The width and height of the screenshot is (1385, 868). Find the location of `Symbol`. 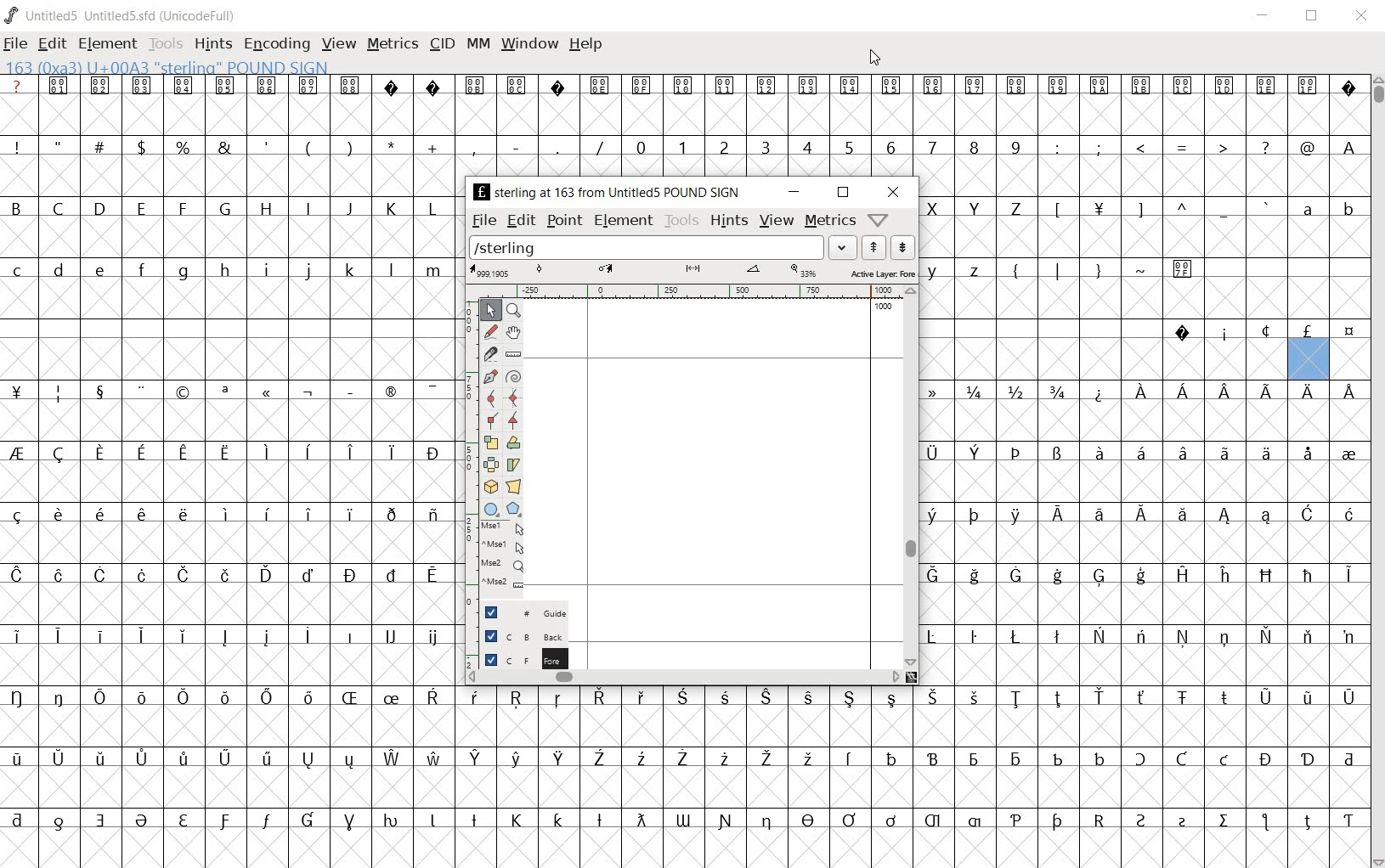

Symbol is located at coordinates (1141, 637).